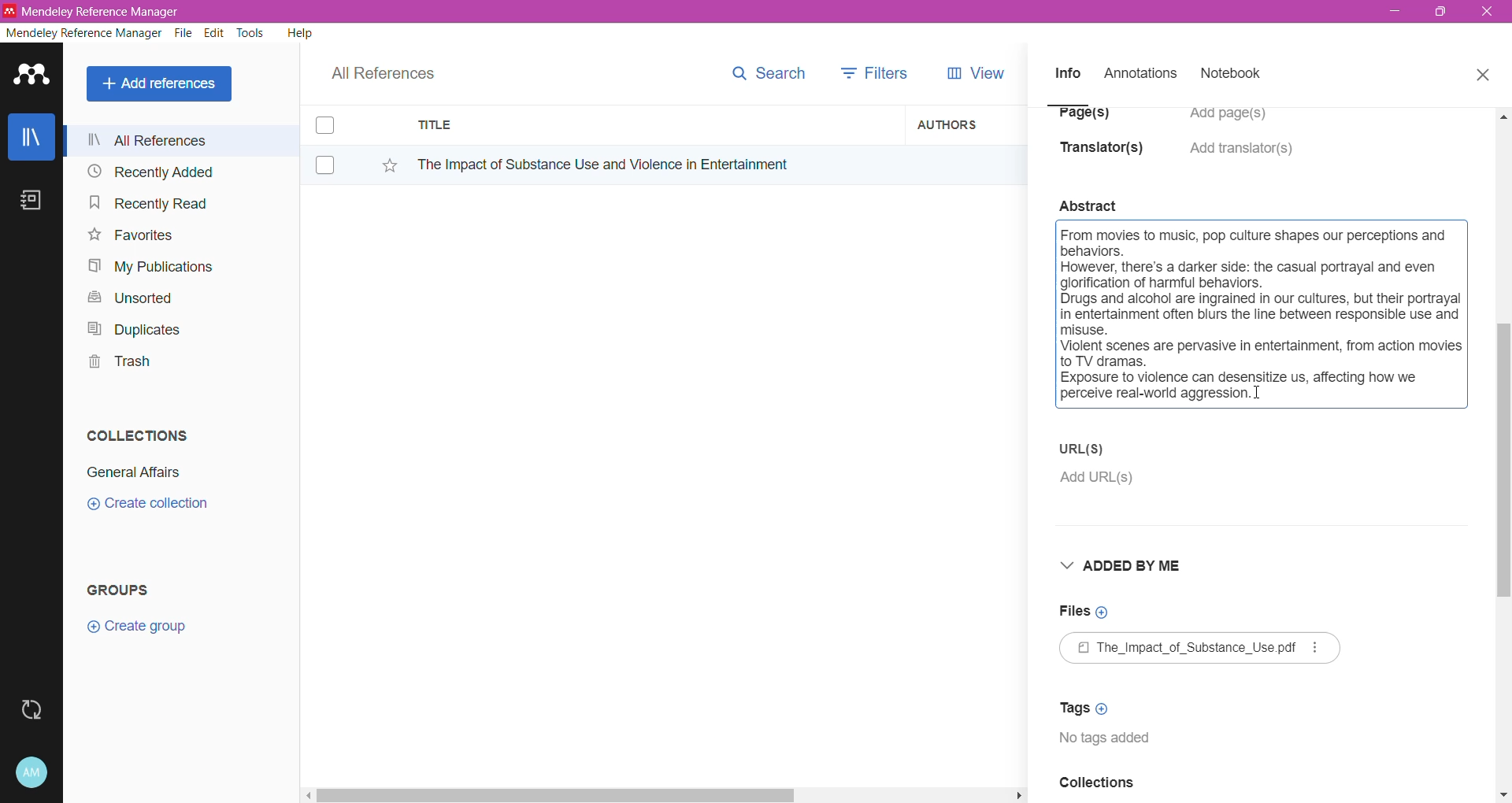 The width and height of the screenshot is (1512, 803). What do you see at coordinates (133, 432) in the screenshot?
I see `Collections` at bounding box center [133, 432].